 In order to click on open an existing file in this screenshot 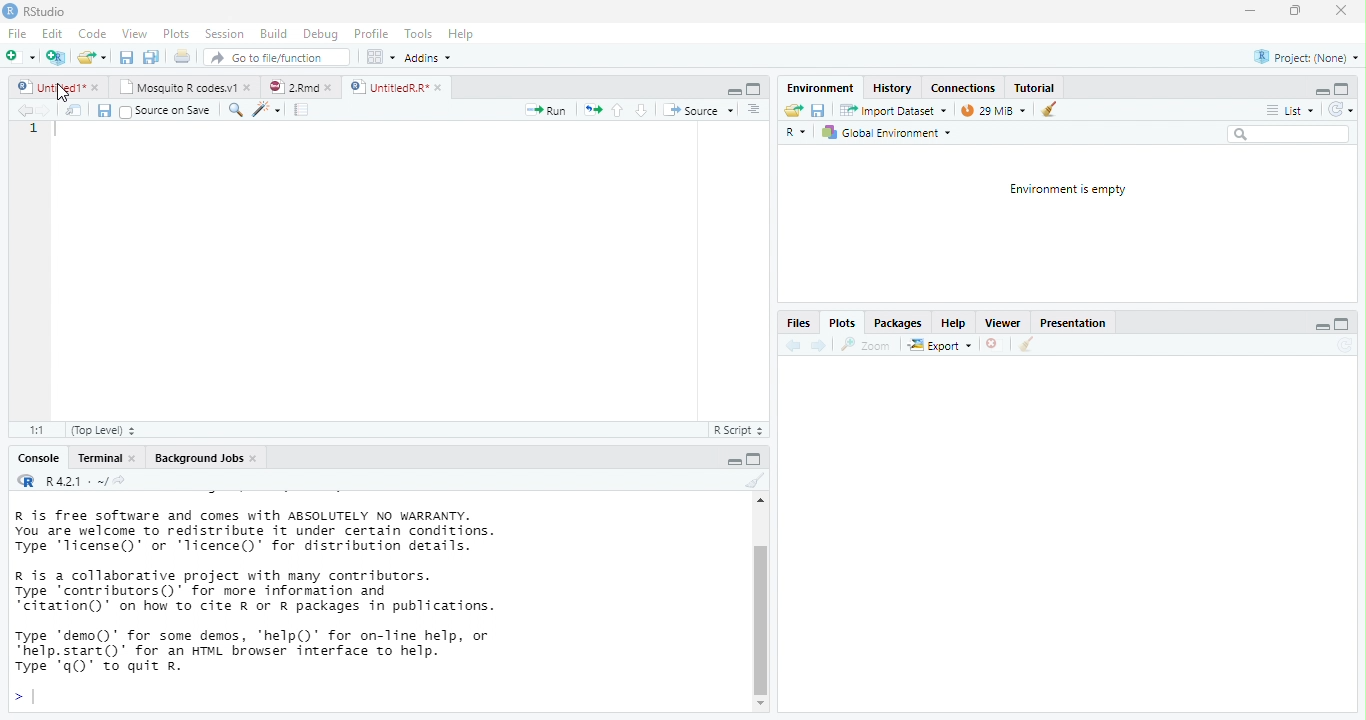, I will do `click(92, 58)`.